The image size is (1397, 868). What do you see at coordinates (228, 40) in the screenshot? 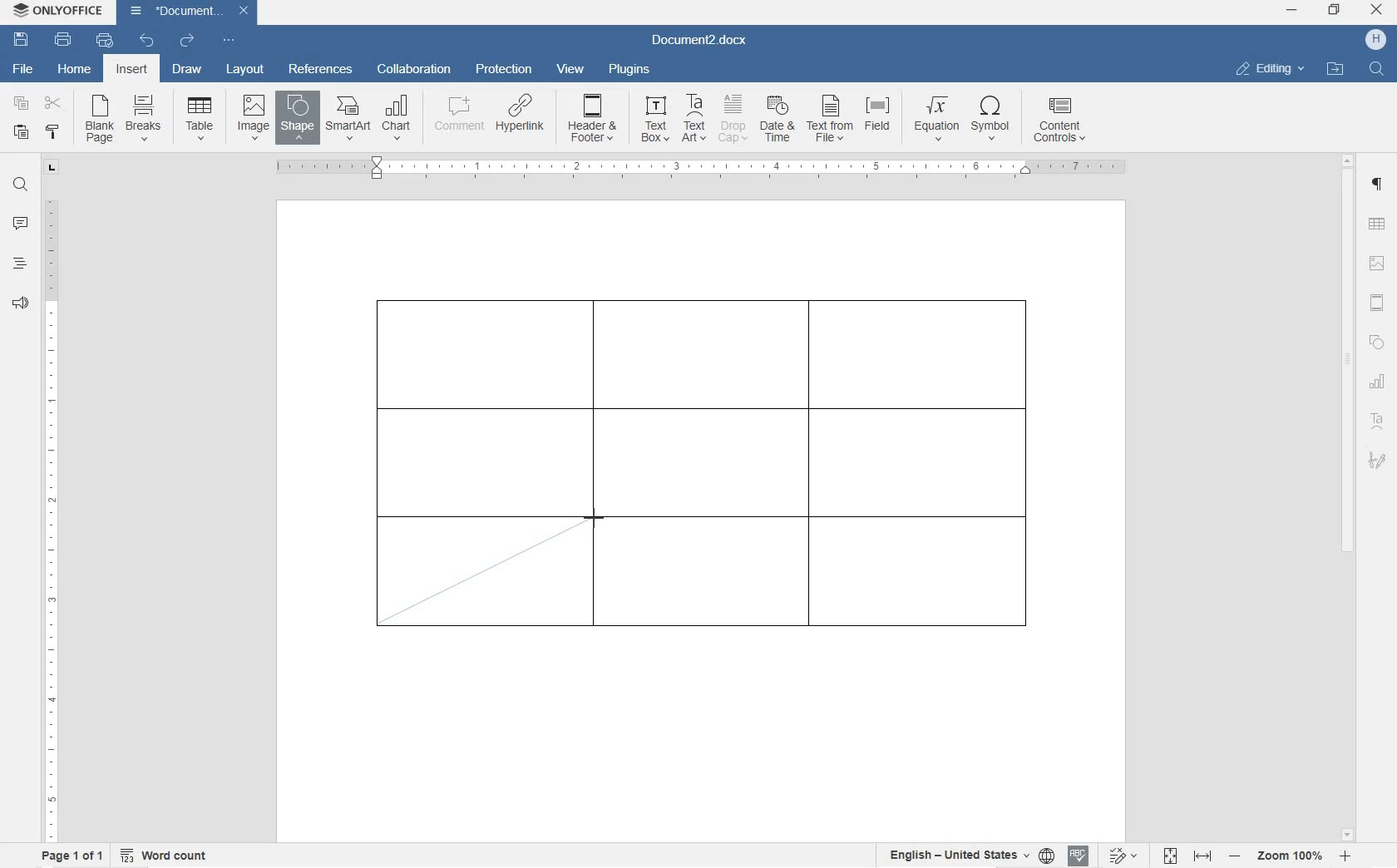
I see `customize quick access toolbar` at bounding box center [228, 40].